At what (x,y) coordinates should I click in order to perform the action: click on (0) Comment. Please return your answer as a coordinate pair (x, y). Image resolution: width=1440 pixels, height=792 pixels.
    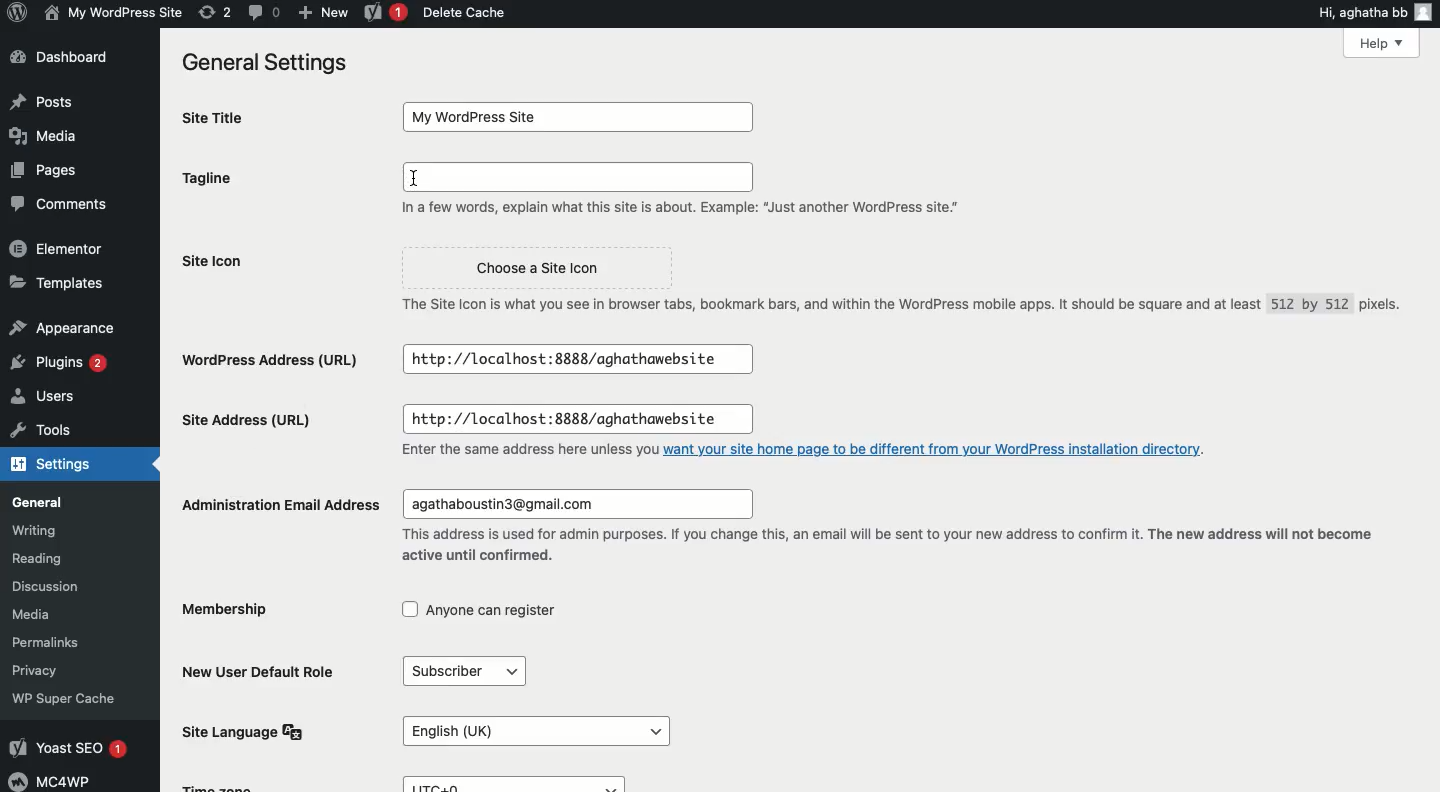
    Looking at the image, I should click on (263, 12).